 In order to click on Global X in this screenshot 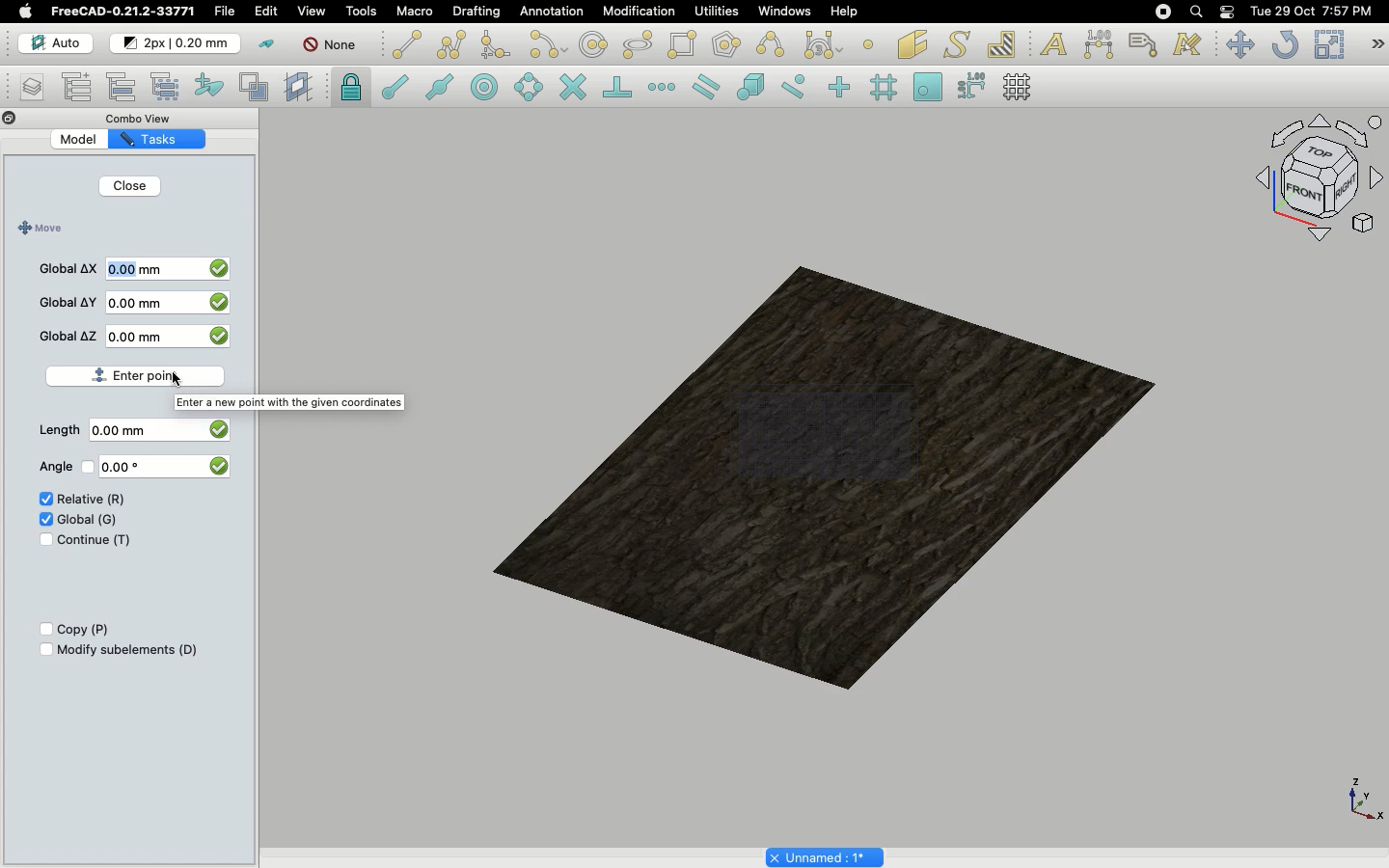, I will do `click(69, 268)`.